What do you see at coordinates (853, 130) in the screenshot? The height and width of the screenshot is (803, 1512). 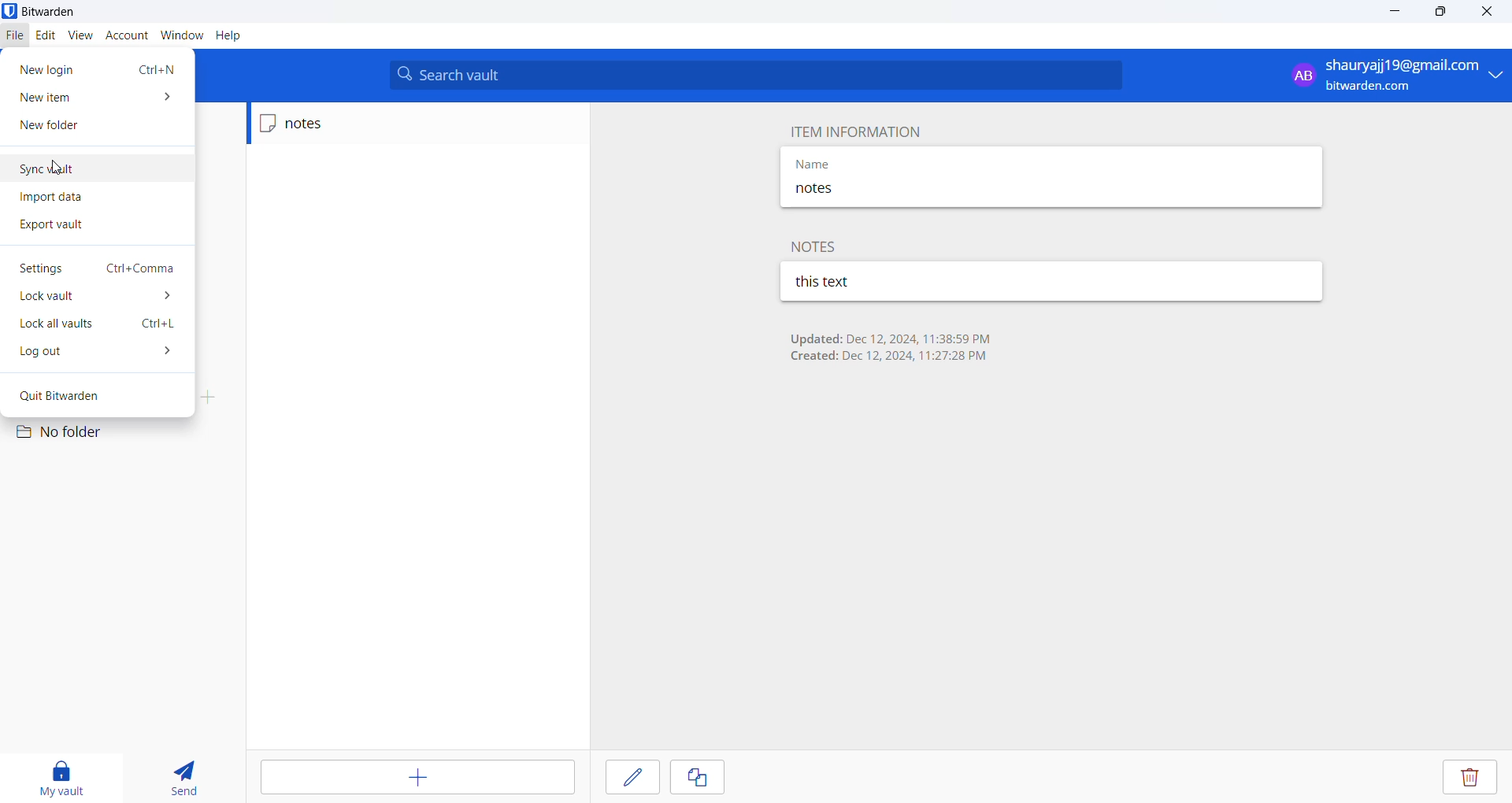 I see `Item information` at bounding box center [853, 130].